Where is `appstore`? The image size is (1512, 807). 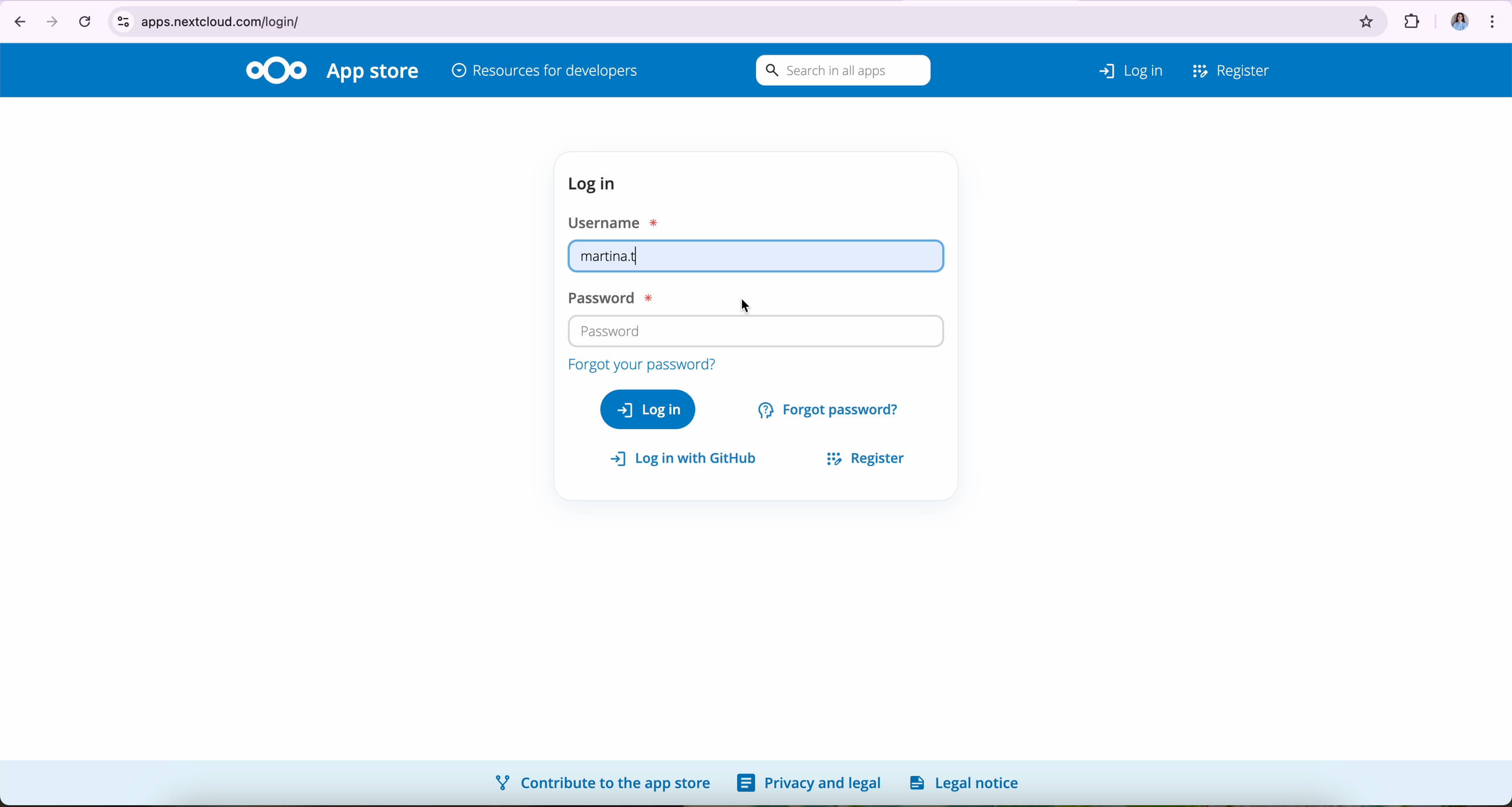
appstore is located at coordinates (375, 73).